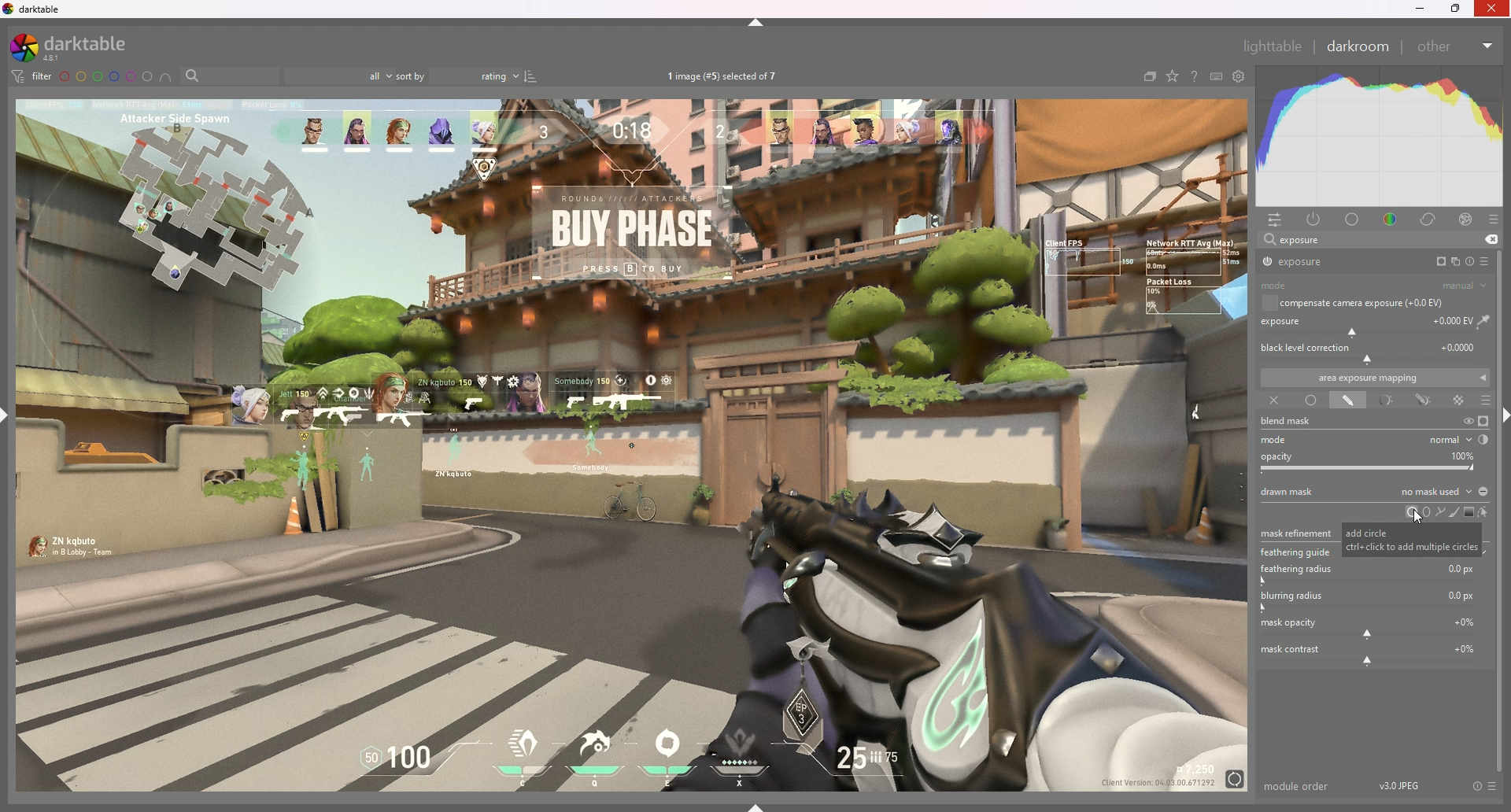 This screenshot has height=812, width=1511. I want to click on active module, so click(1316, 220).